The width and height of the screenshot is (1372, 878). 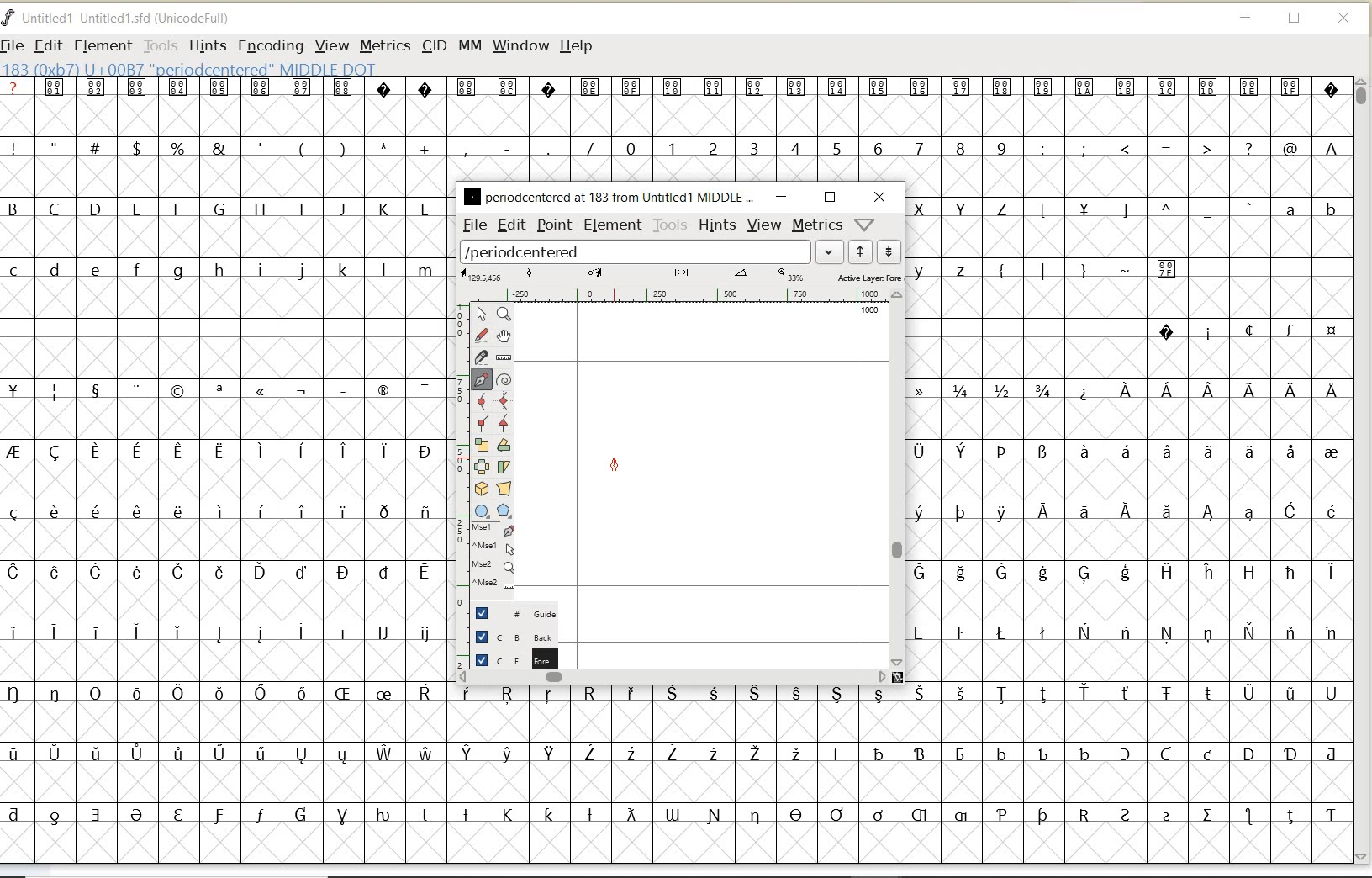 I want to click on perform a perspective transformation on the selection, so click(x=504, y=489).